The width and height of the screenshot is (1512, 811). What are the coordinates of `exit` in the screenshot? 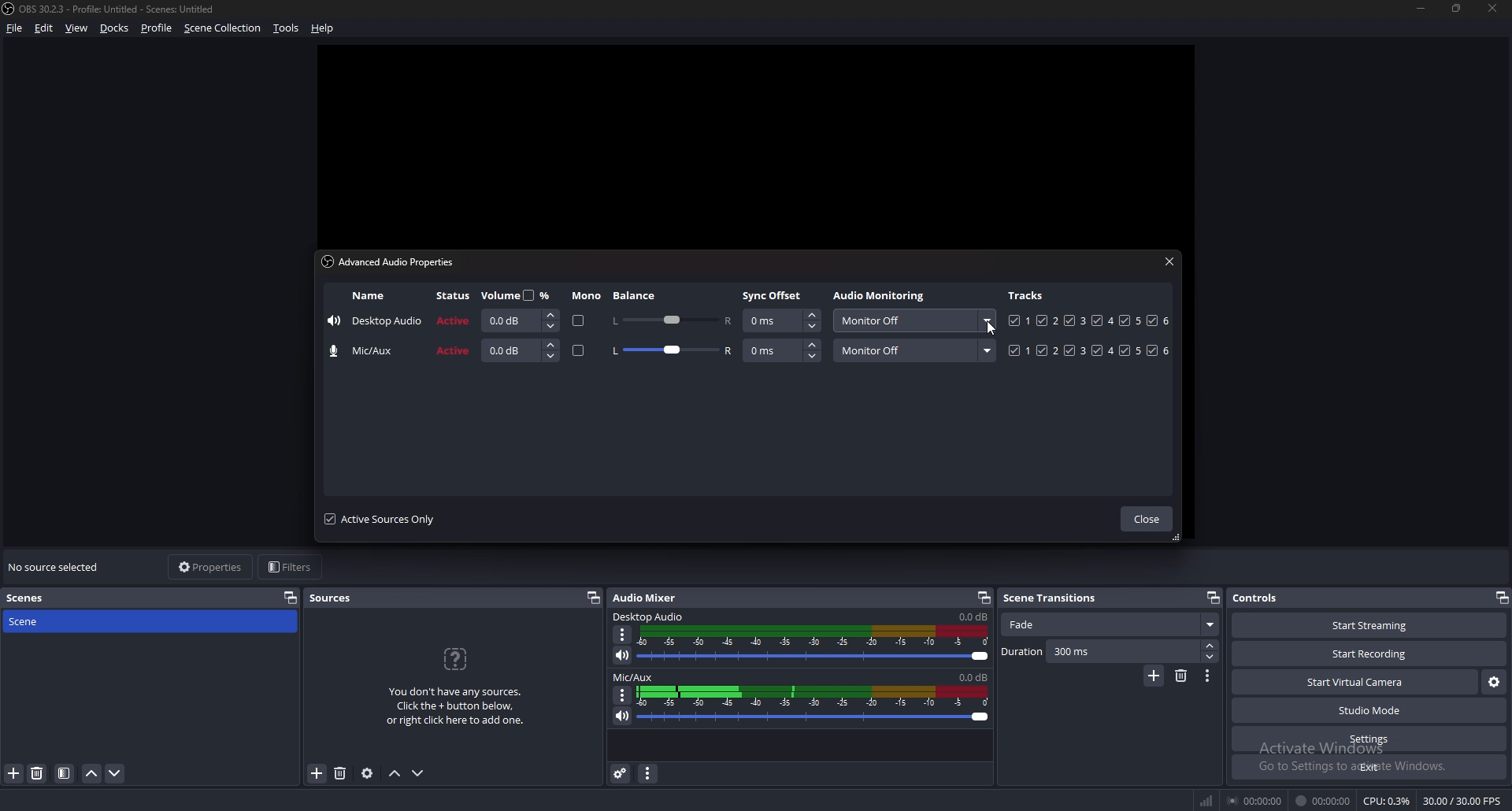 It's located at (1369, 768).